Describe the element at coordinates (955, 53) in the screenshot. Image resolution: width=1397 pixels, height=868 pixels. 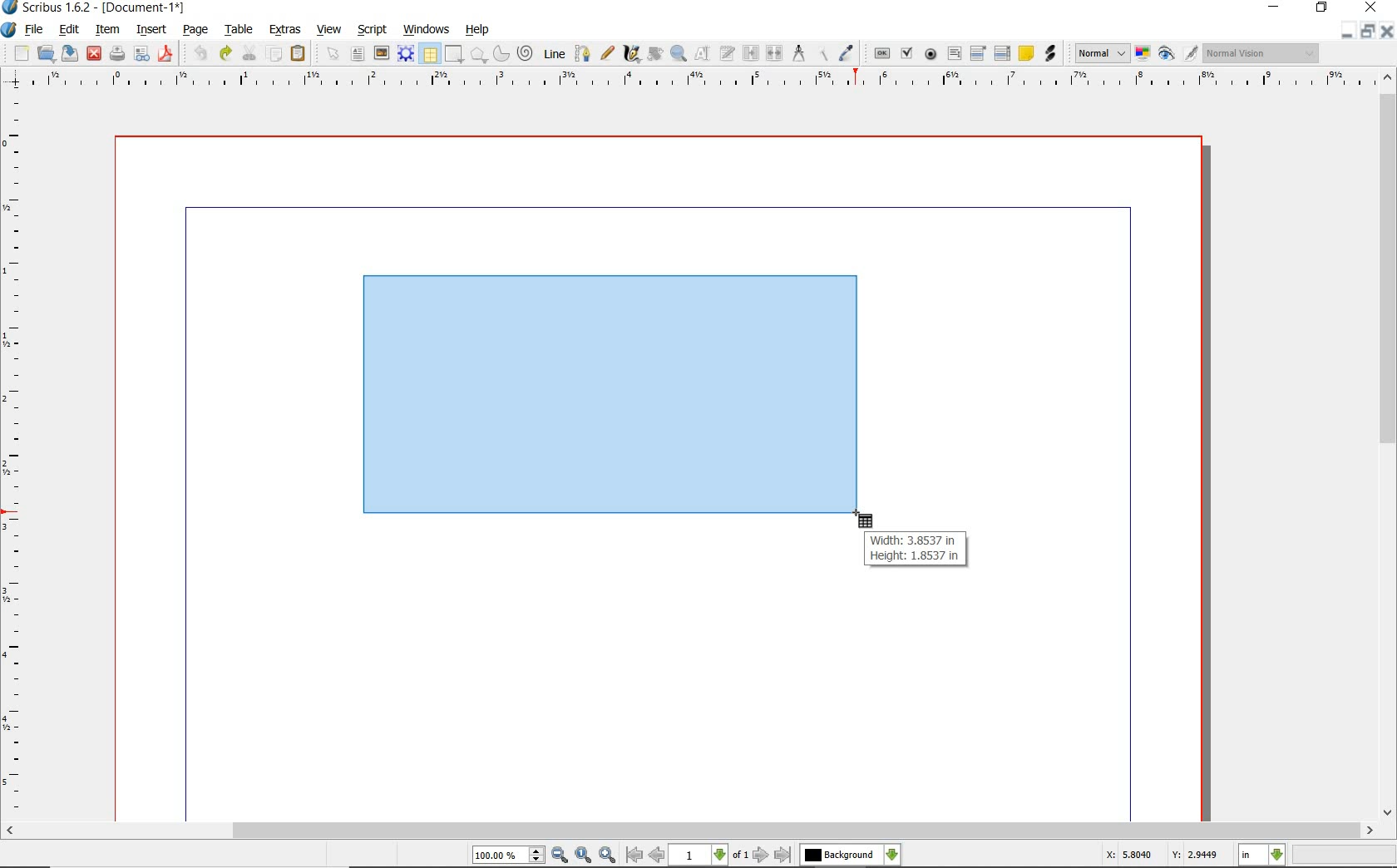
I see `pdf text field` at that location.